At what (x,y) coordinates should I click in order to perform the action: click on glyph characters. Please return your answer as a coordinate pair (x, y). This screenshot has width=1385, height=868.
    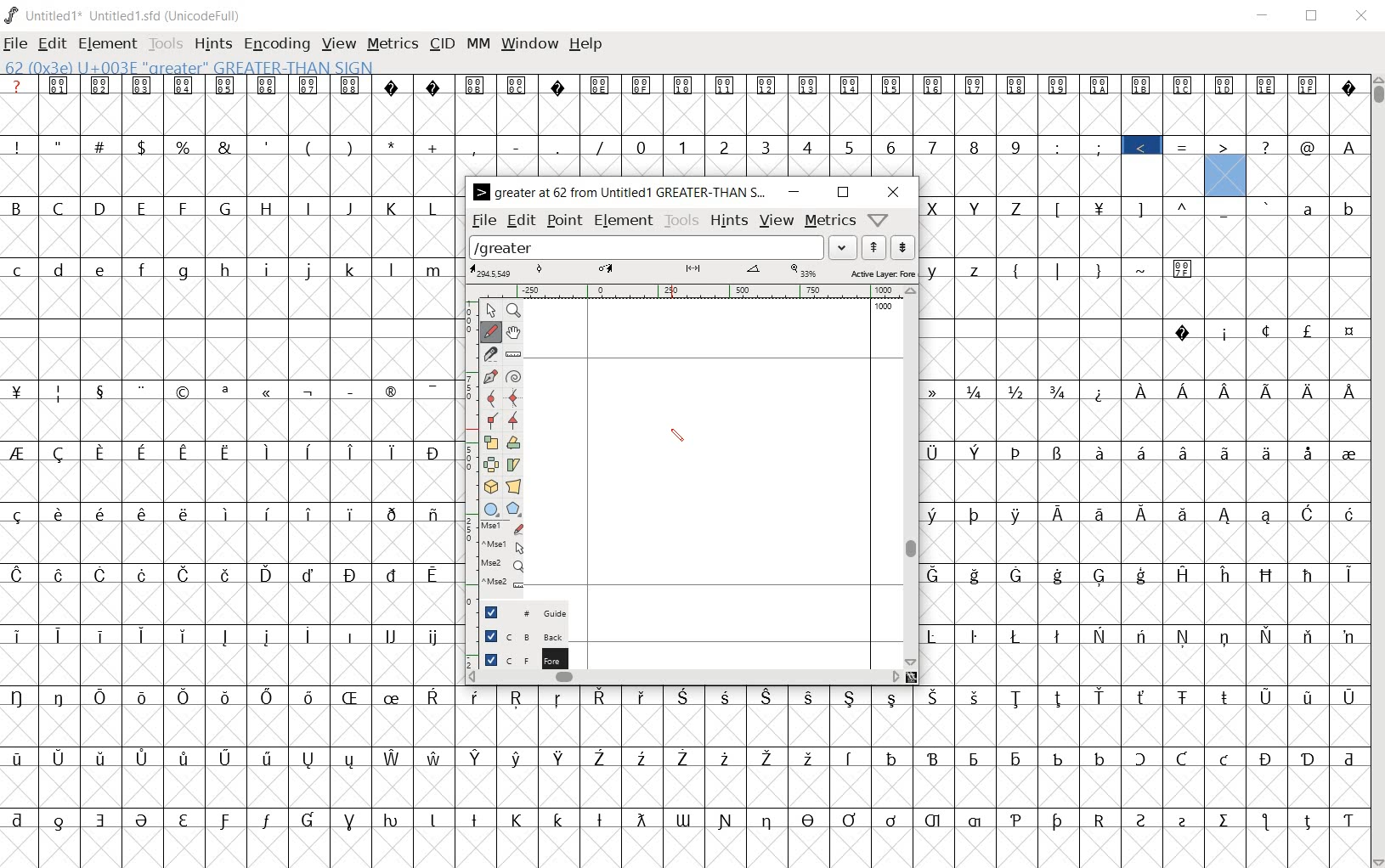
    Looking at the image, I should click on (1145, 442).